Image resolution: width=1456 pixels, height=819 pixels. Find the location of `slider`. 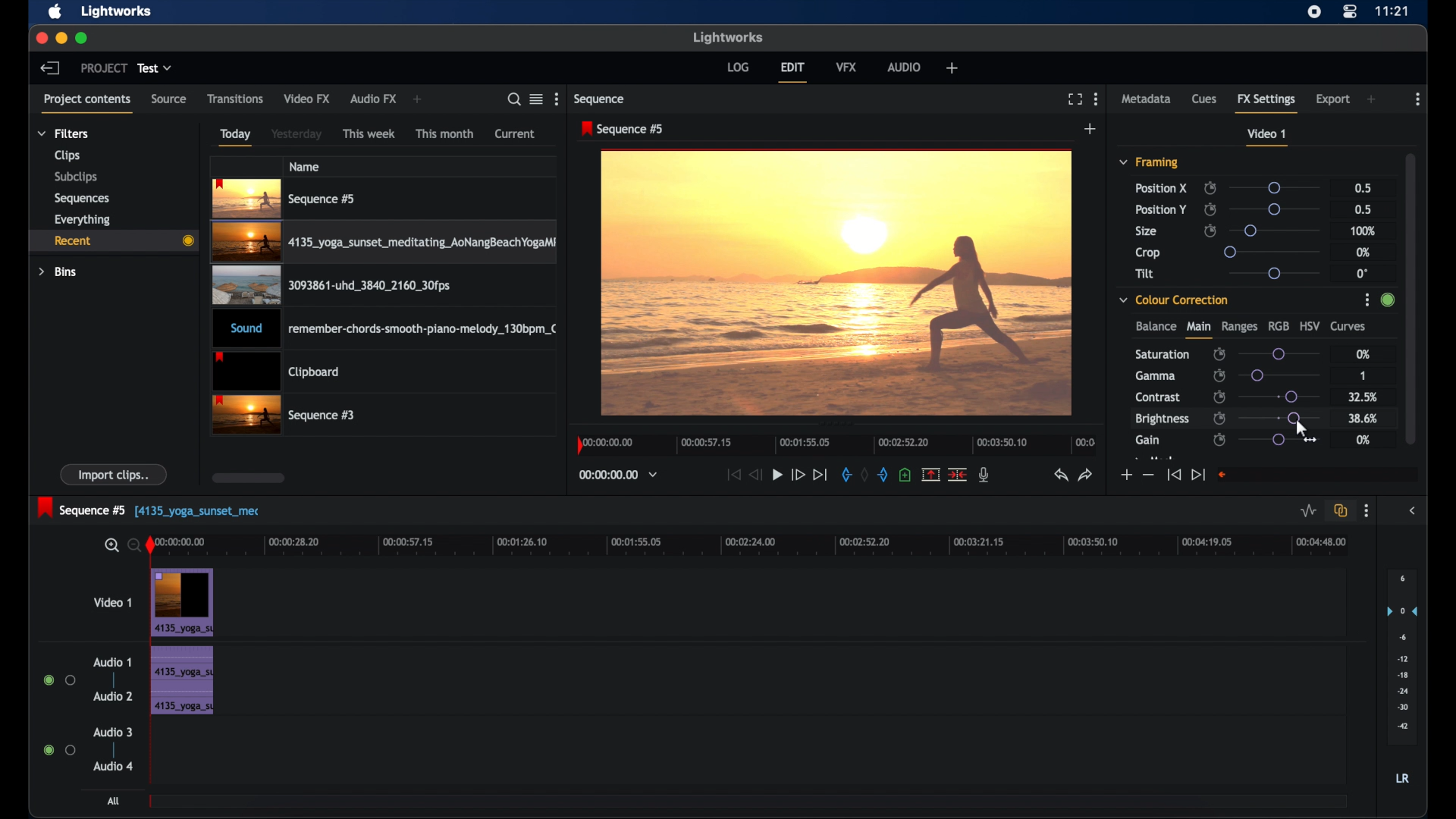

slider is located at coordinates (1279, 396).